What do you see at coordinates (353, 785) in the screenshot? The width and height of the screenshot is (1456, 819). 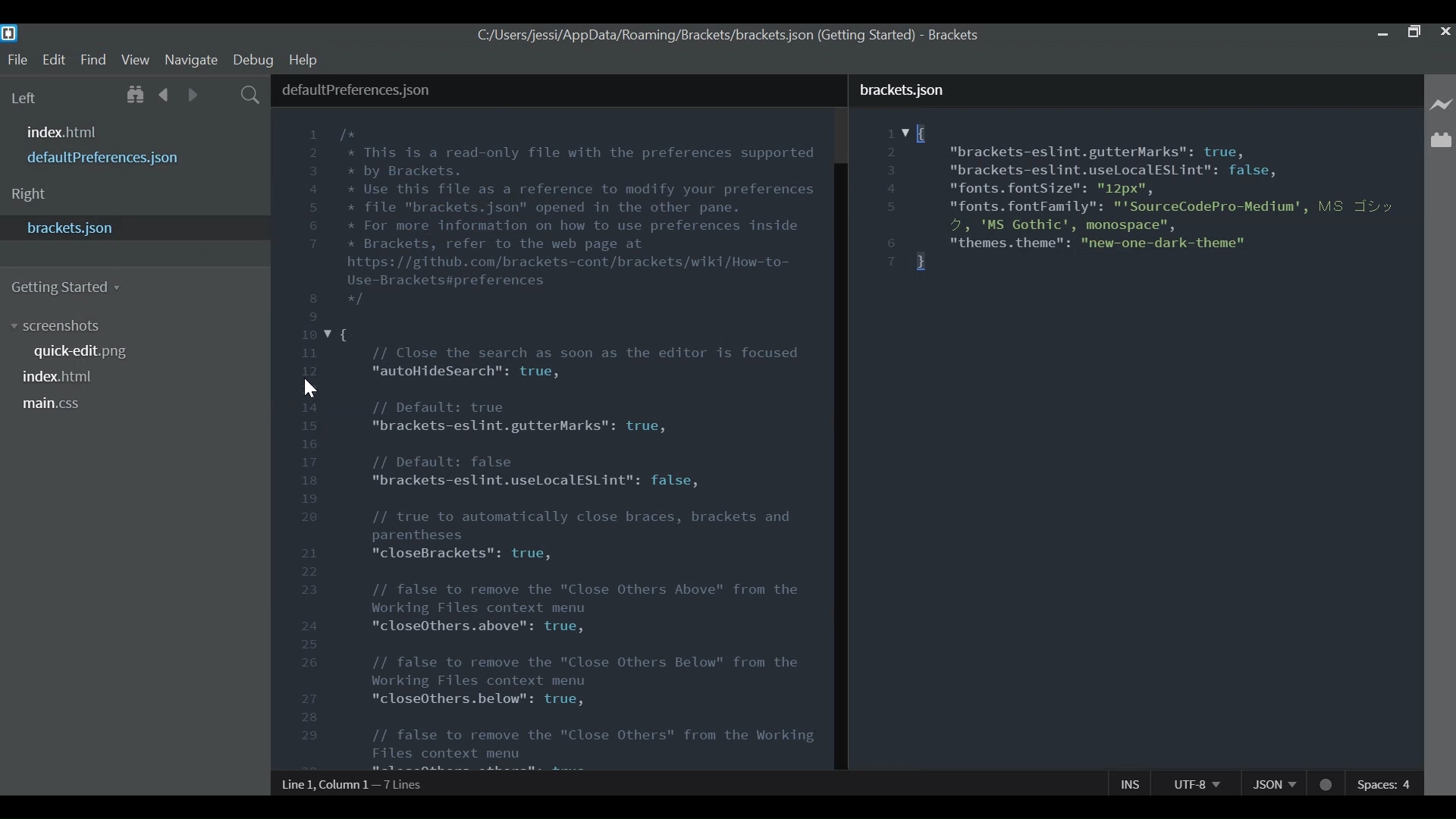 I see `Line, Column1—7 Lines` at bounding box center [353, 785].